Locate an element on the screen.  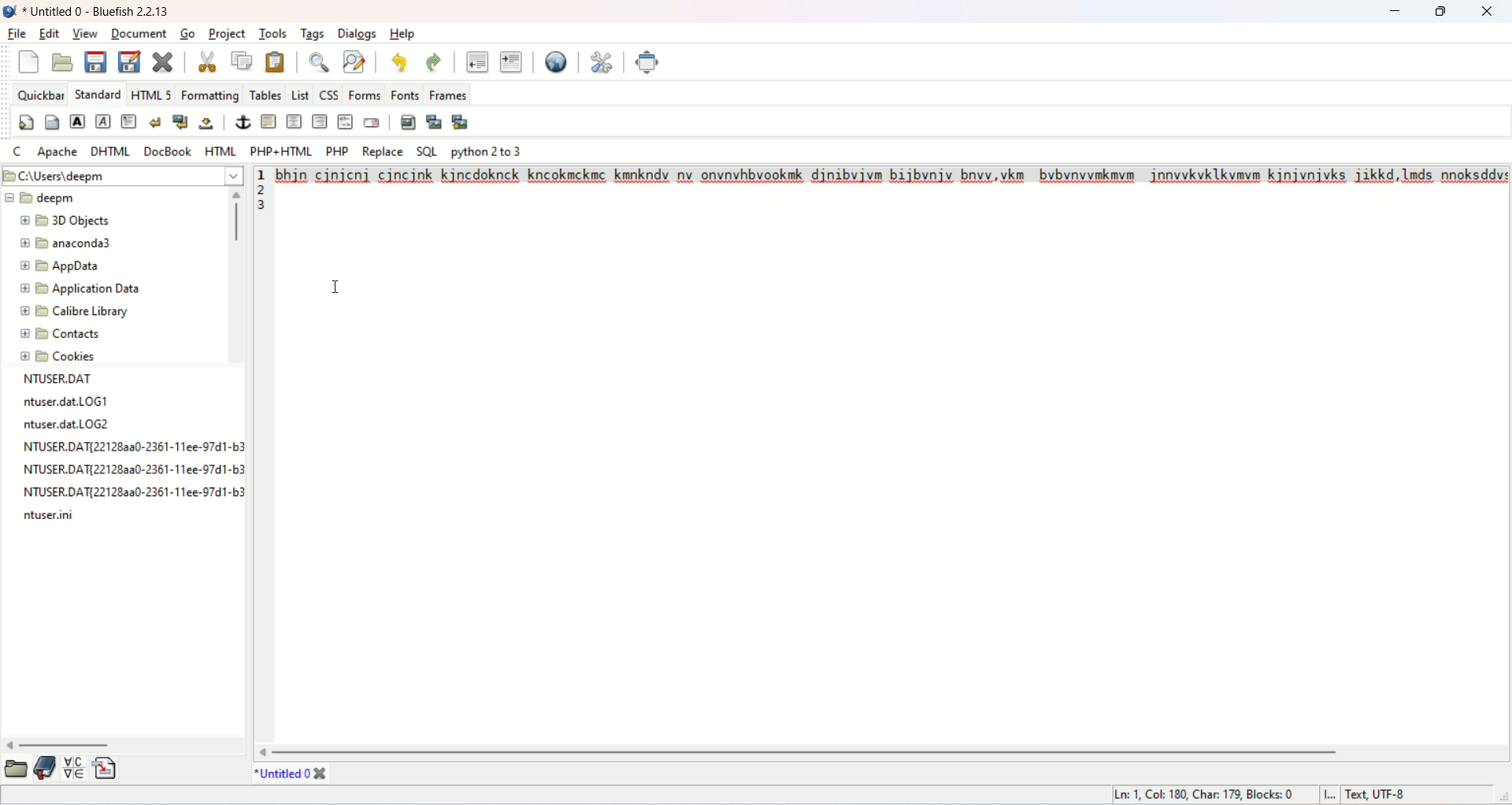
open file is located at coordinates (61, 61).